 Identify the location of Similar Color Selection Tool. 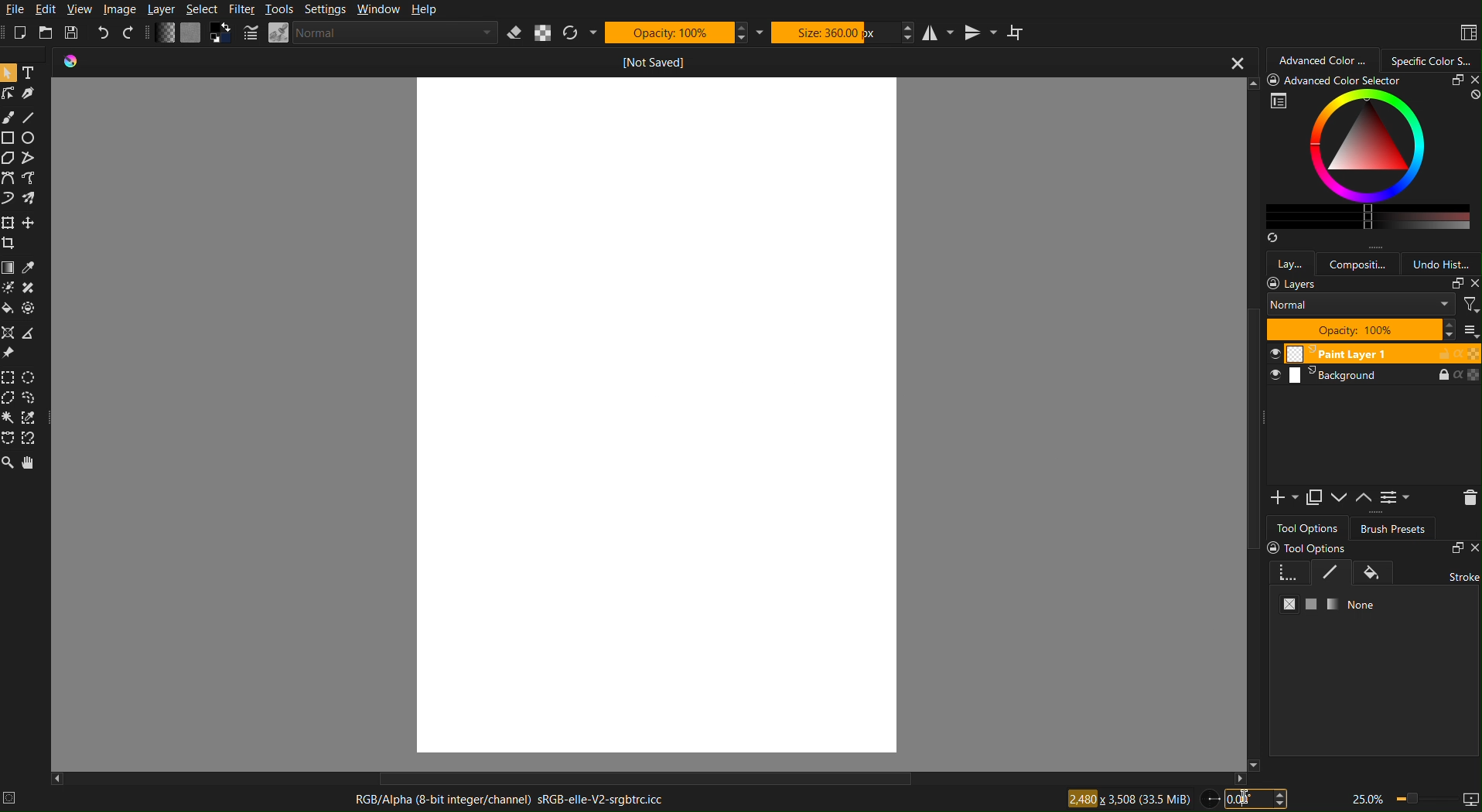
(28, 418).